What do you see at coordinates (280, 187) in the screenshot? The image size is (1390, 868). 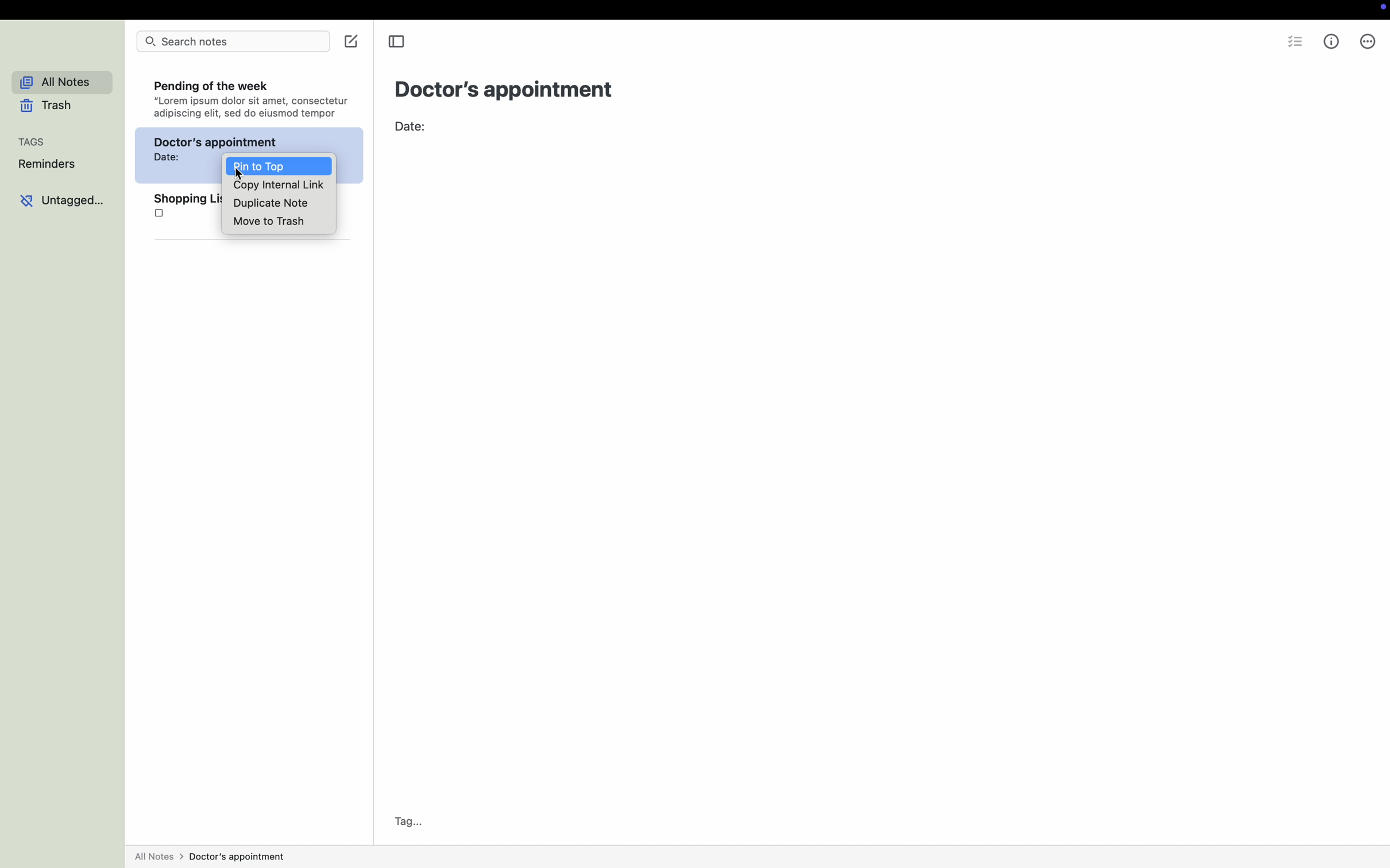 I see `copy internal link` at bounding box center [280, 187].